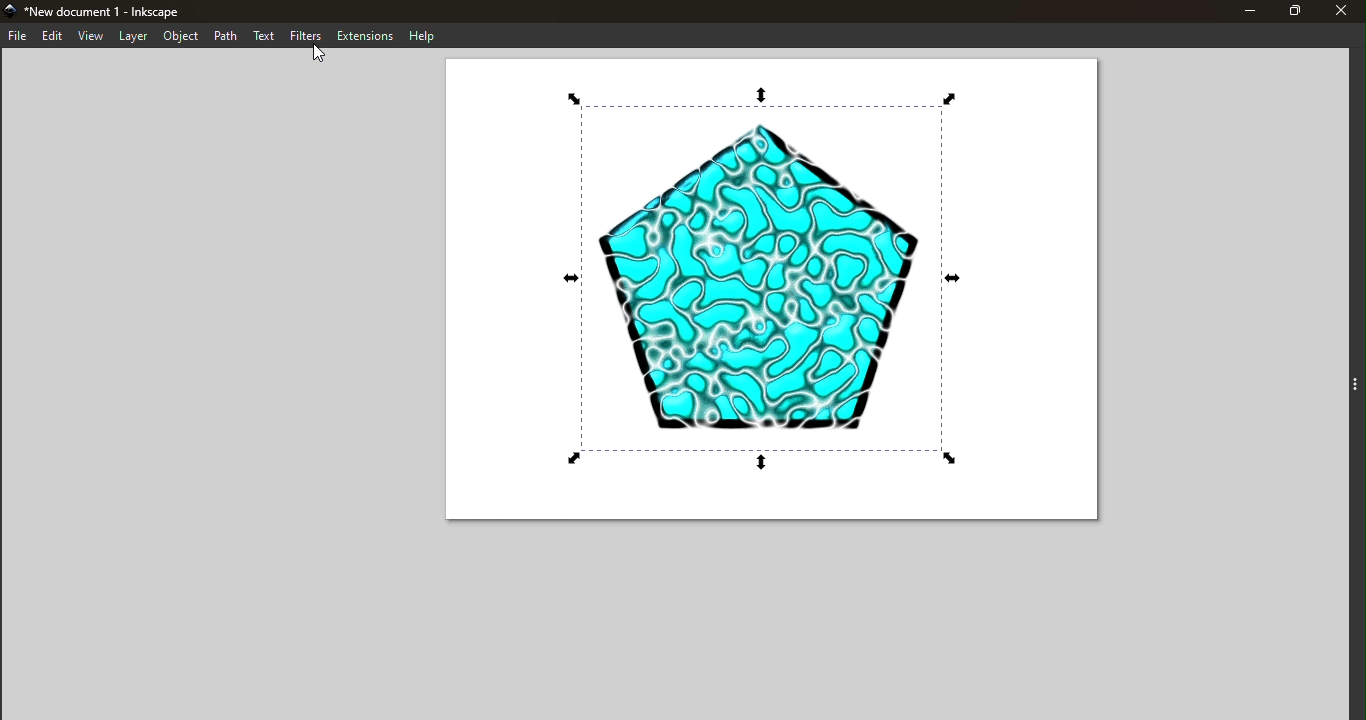 This screenshot has width=1366, height=720. I want to click on File, so click(16, 35).